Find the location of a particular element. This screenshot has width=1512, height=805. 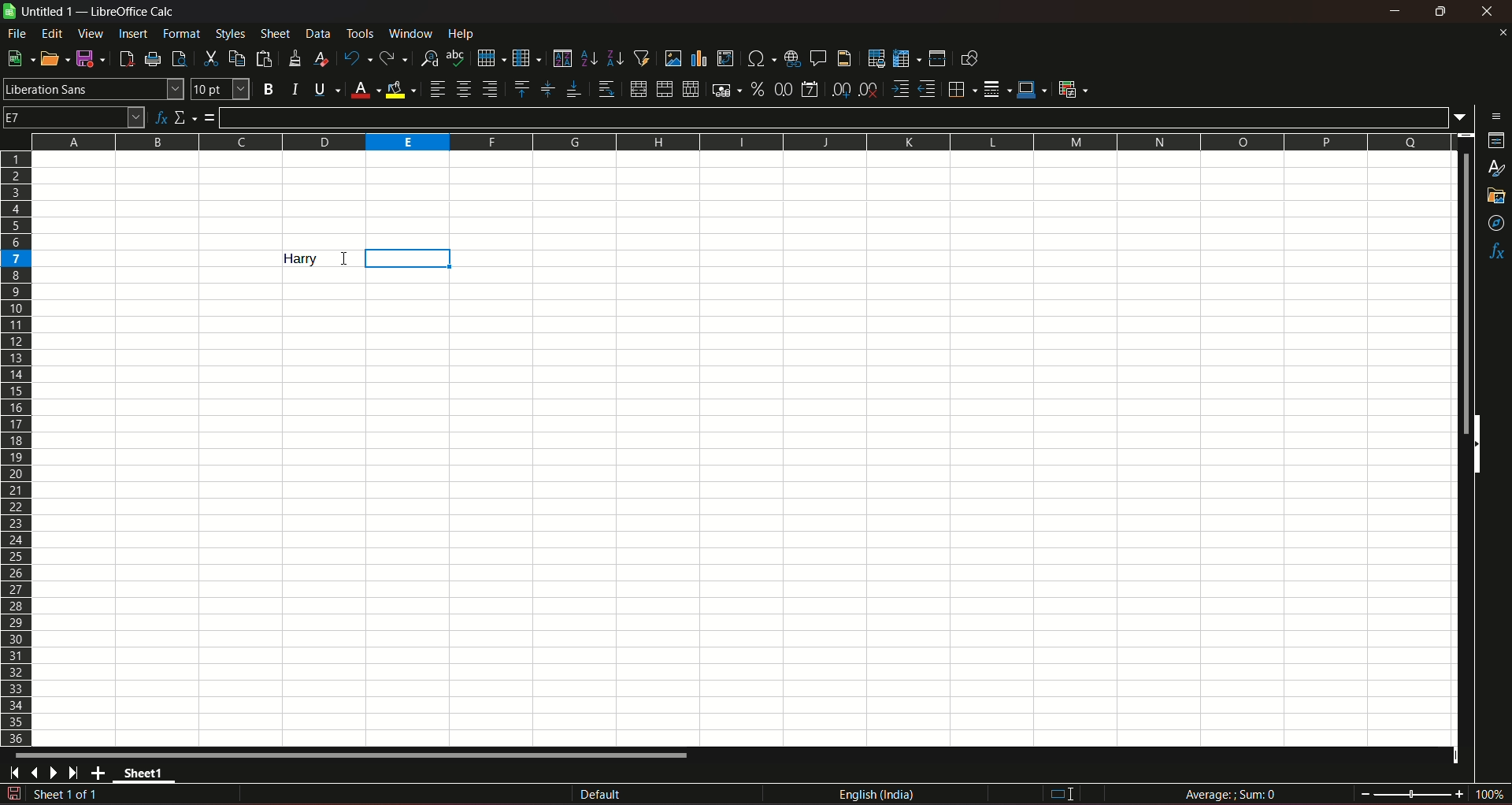

increase indent is located at coordinates (899, 89).